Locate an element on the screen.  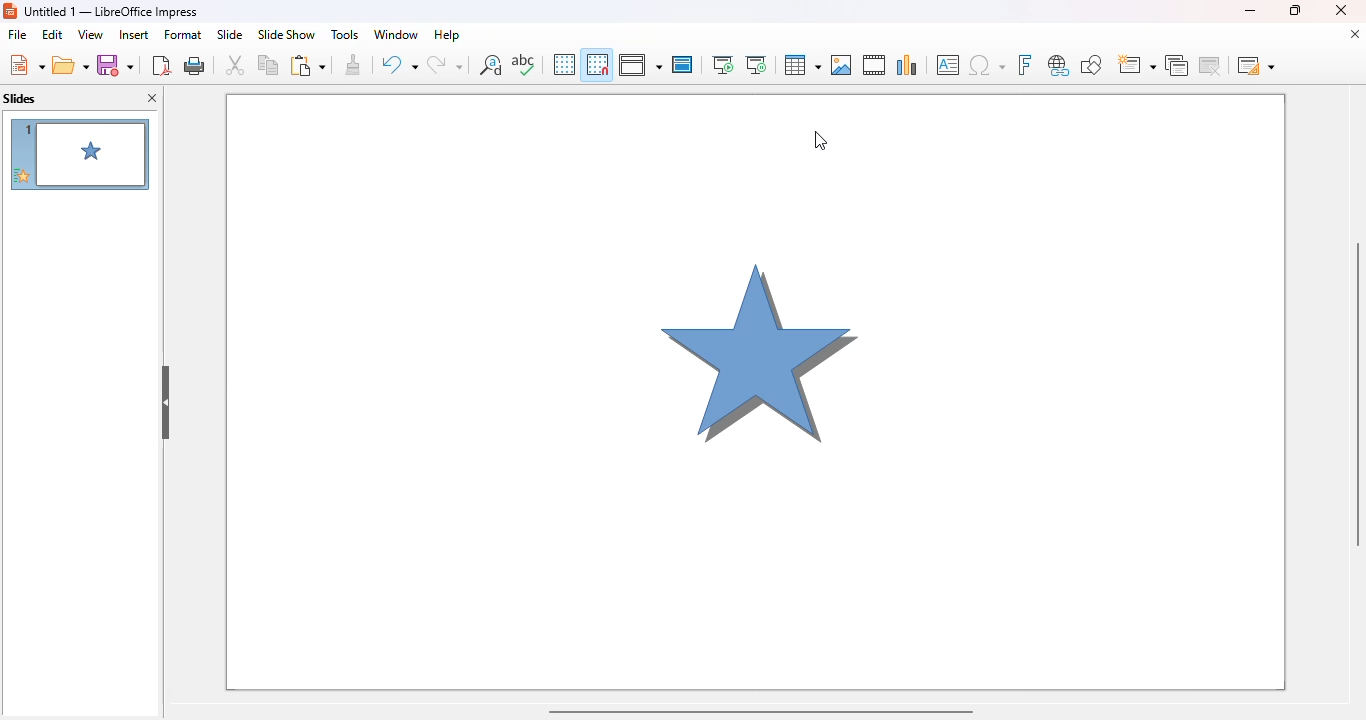
insert text box is located at coordinates (949, 65).